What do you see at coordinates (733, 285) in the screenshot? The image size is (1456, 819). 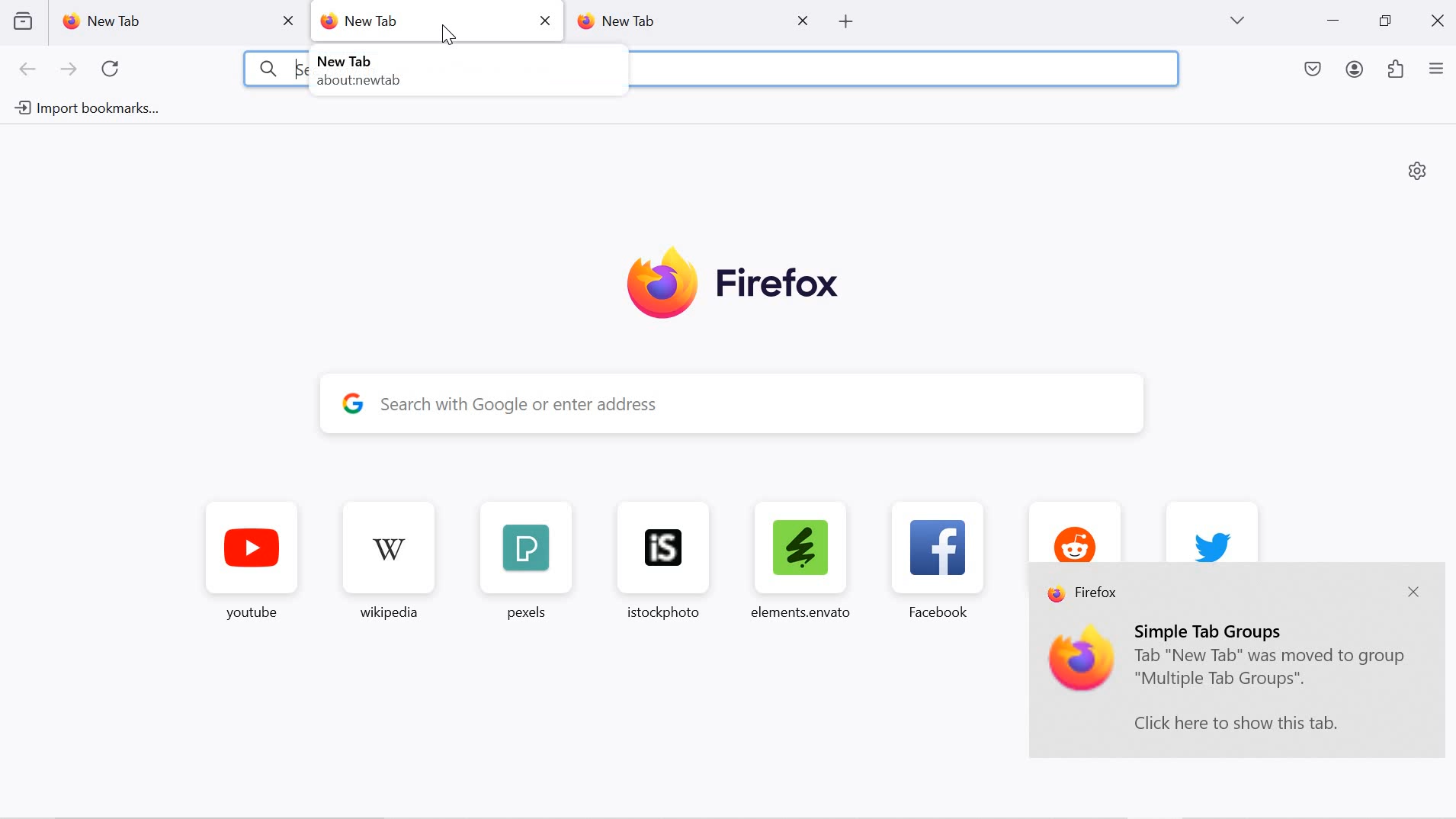 I see `Firefox logo` at bounding box center [733, 285].